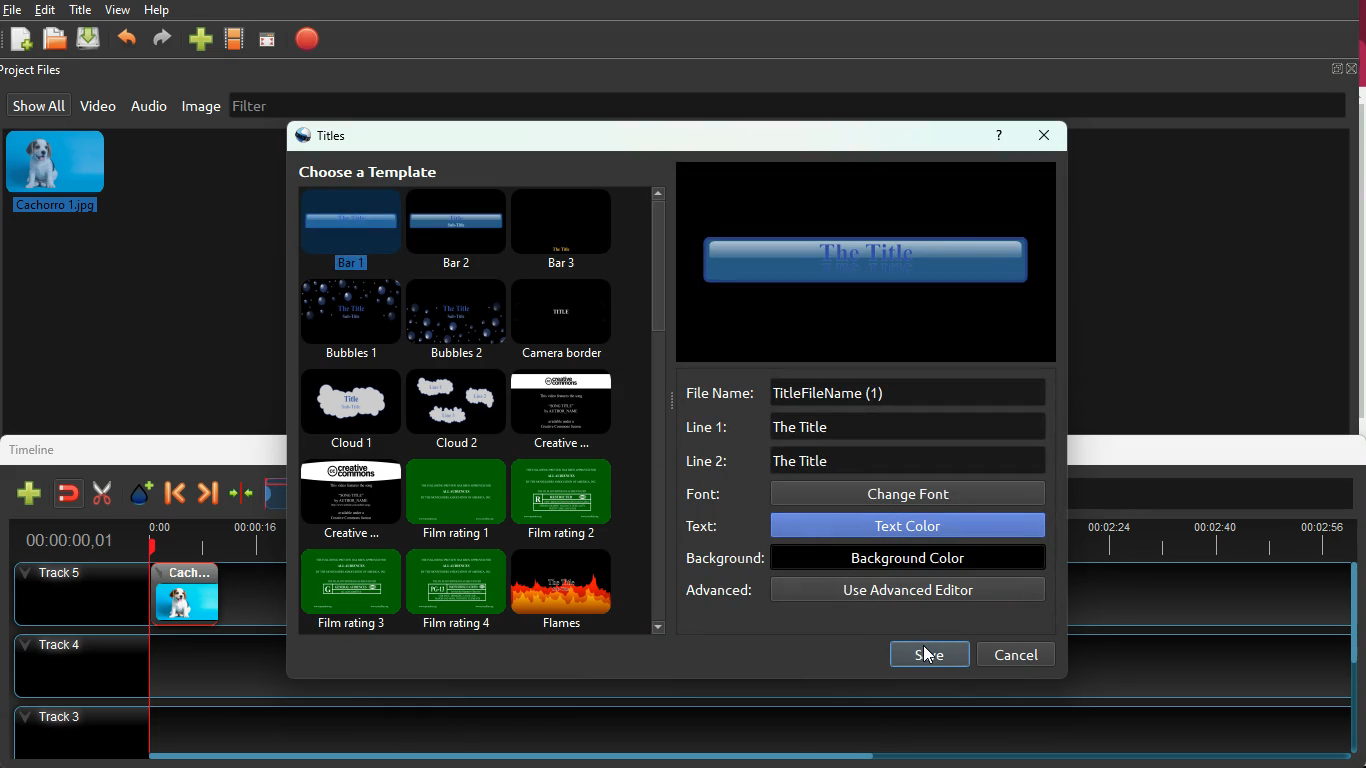 This screenshot has width=1366, height=768. Describe the element at coordinates (184, 593) in the screenshot. I see `image` at that location.